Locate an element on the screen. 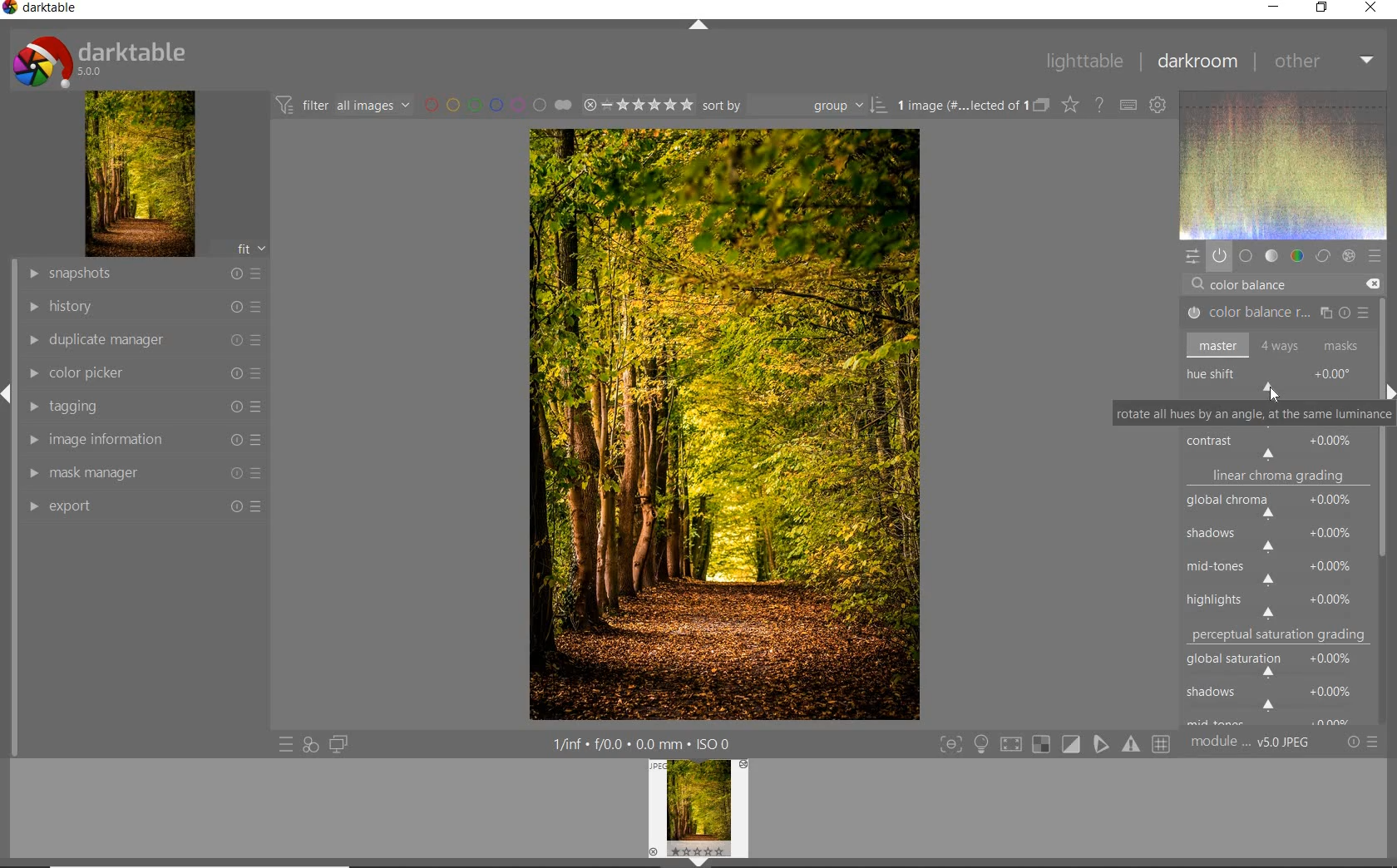 The image size is (1397, 868). selected images is located at coordinates (959, 106).